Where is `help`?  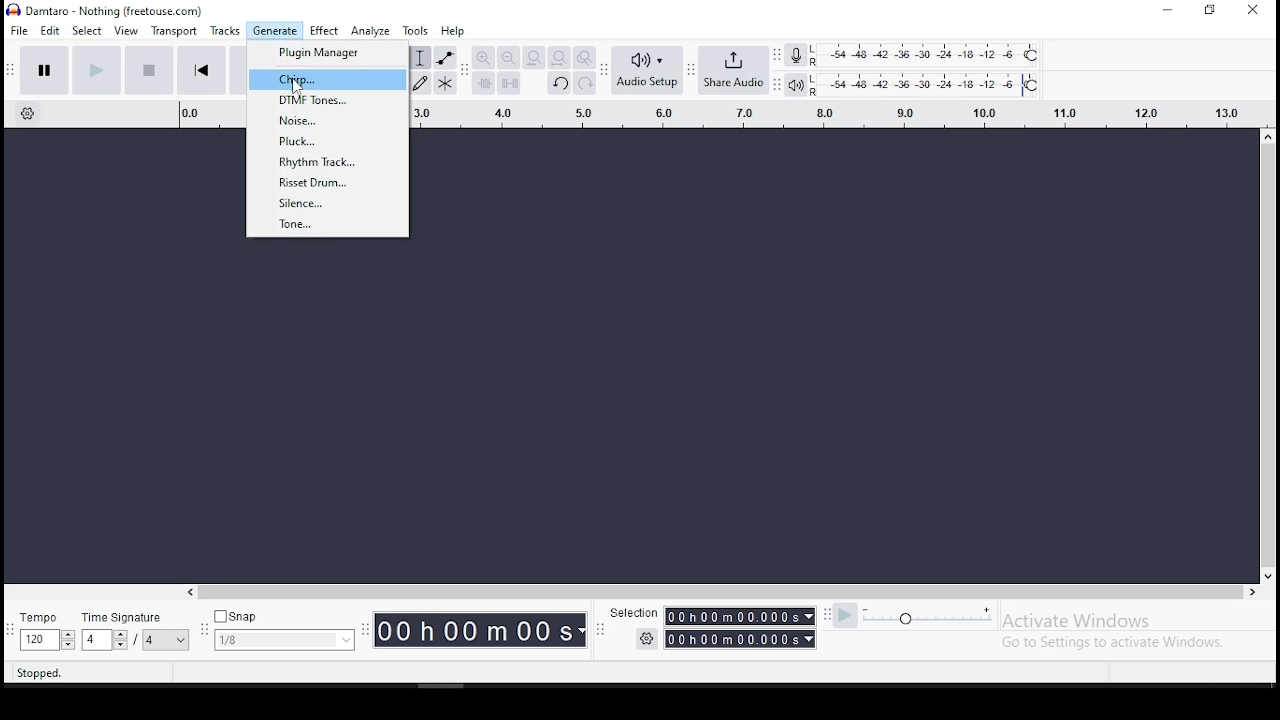 help is located at coordinates (453, 31).